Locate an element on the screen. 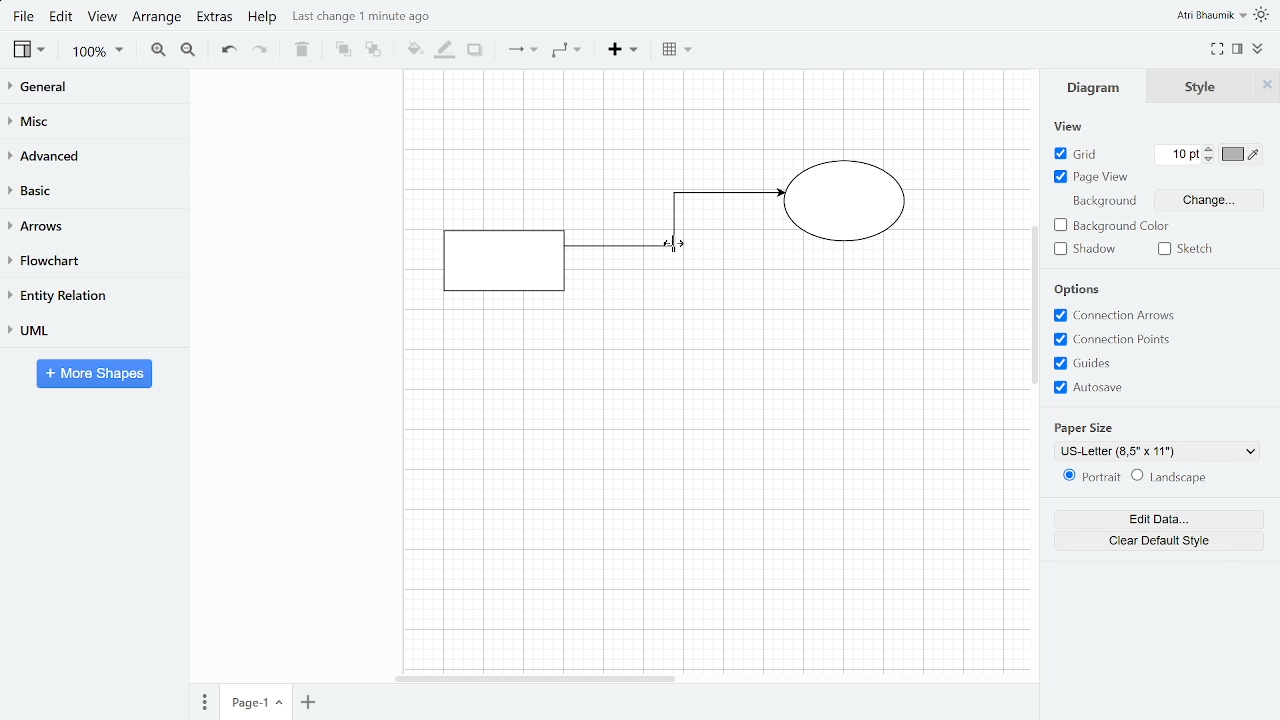 This screenshot has width=1280, height=720. Profile "Atri Bhaumik" is located at coordinates (1212, 15).